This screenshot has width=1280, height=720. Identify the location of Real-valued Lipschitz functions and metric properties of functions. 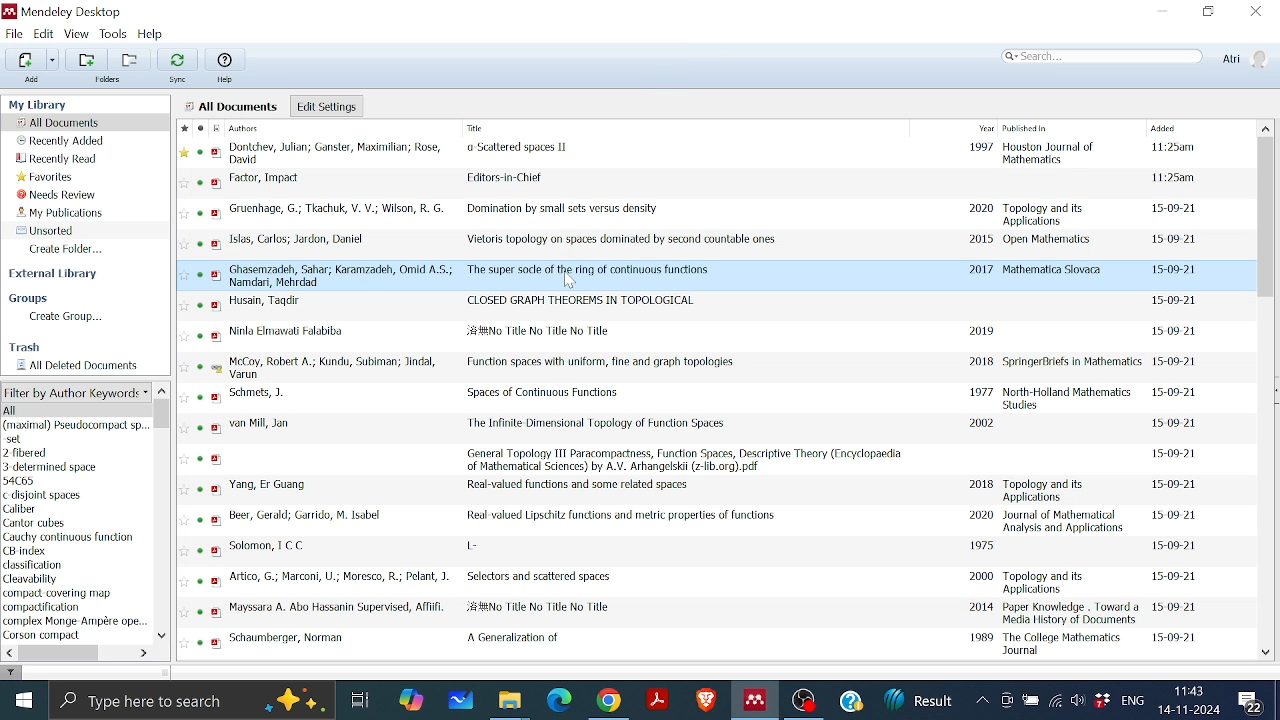
(705, 519).